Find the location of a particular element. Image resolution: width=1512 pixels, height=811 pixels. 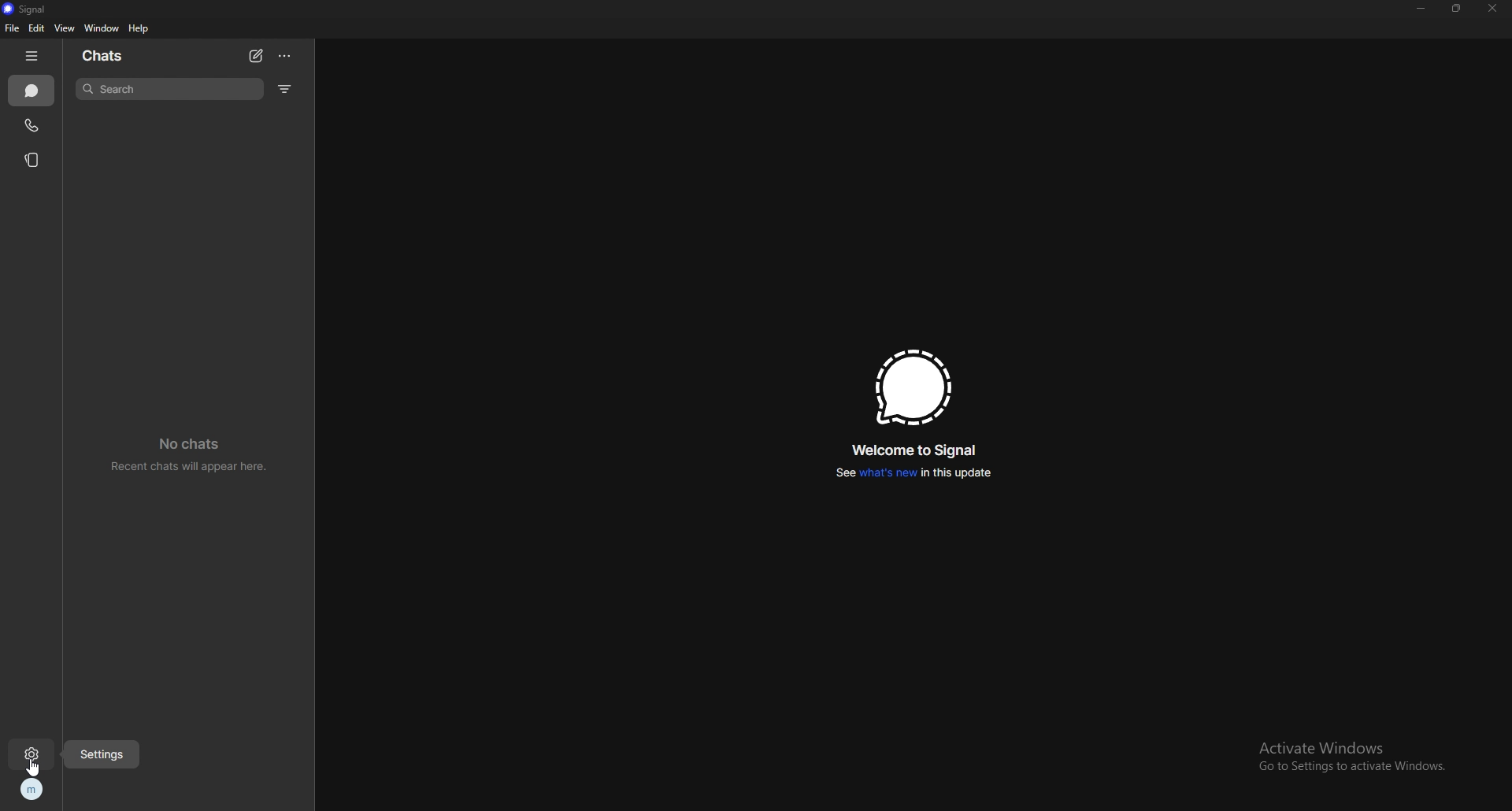

help is located at coordinates (139, 29).